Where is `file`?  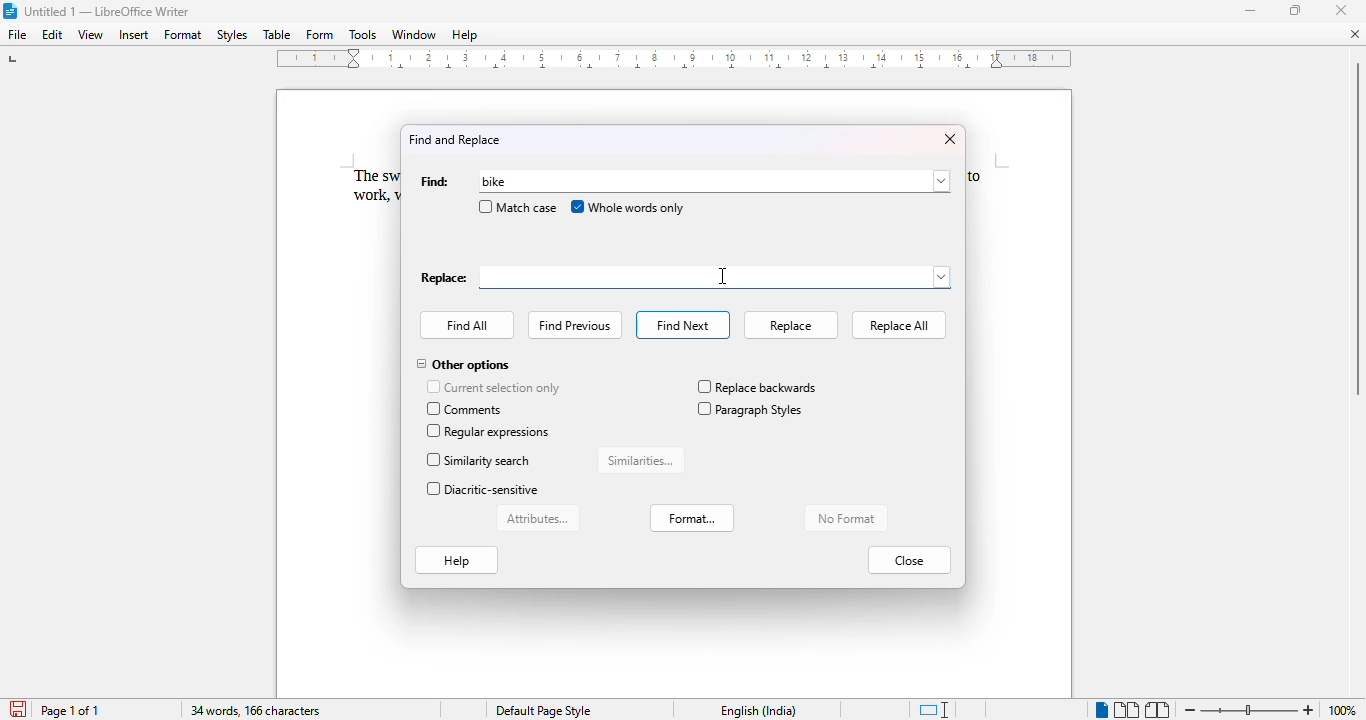 file is located at coordinates (18, 34).